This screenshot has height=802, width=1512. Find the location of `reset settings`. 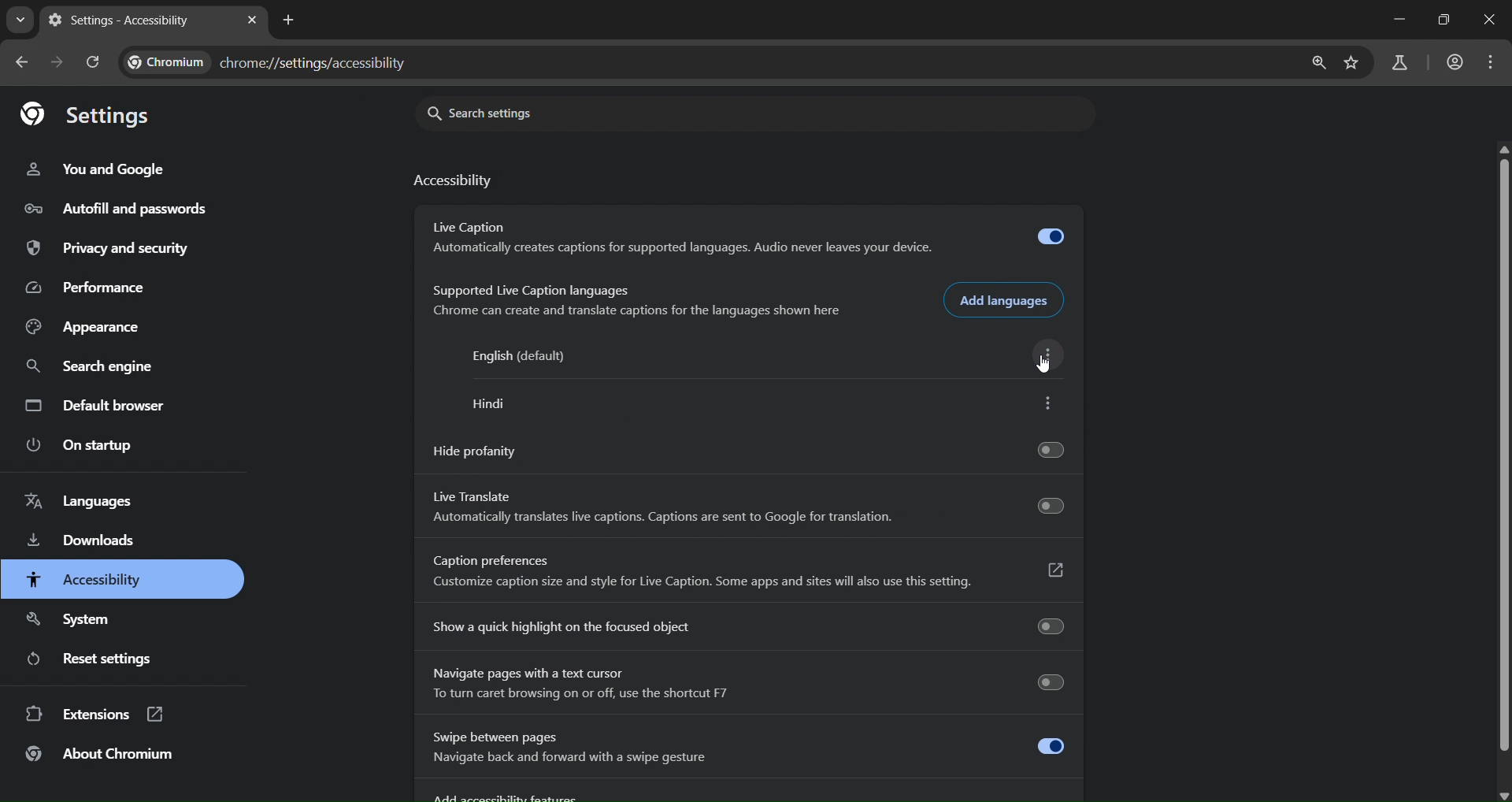

reset settings is located at coordinates (98, 658).